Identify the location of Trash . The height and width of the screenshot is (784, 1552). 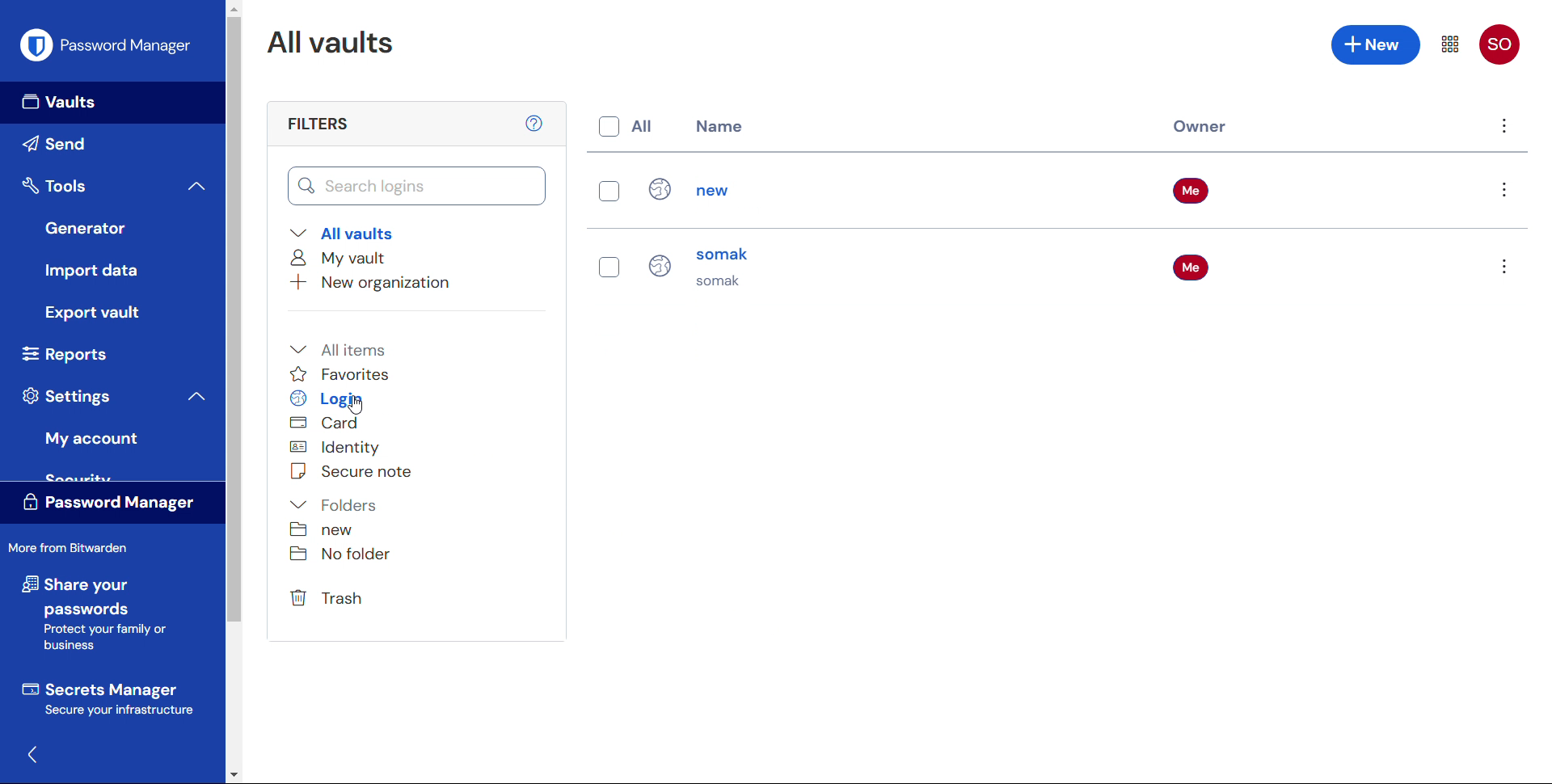
(331, 597).